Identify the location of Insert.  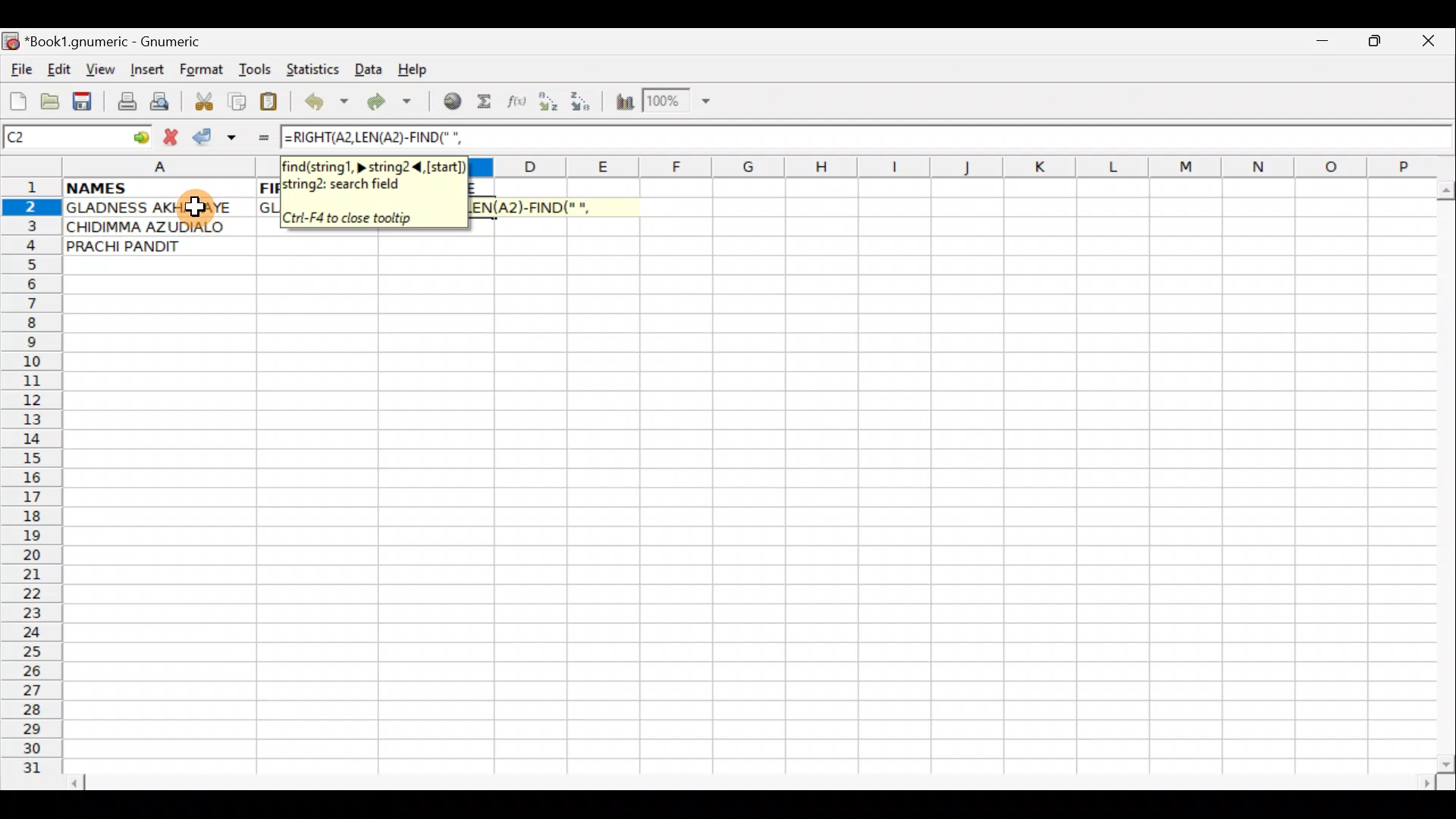
(146, 70).